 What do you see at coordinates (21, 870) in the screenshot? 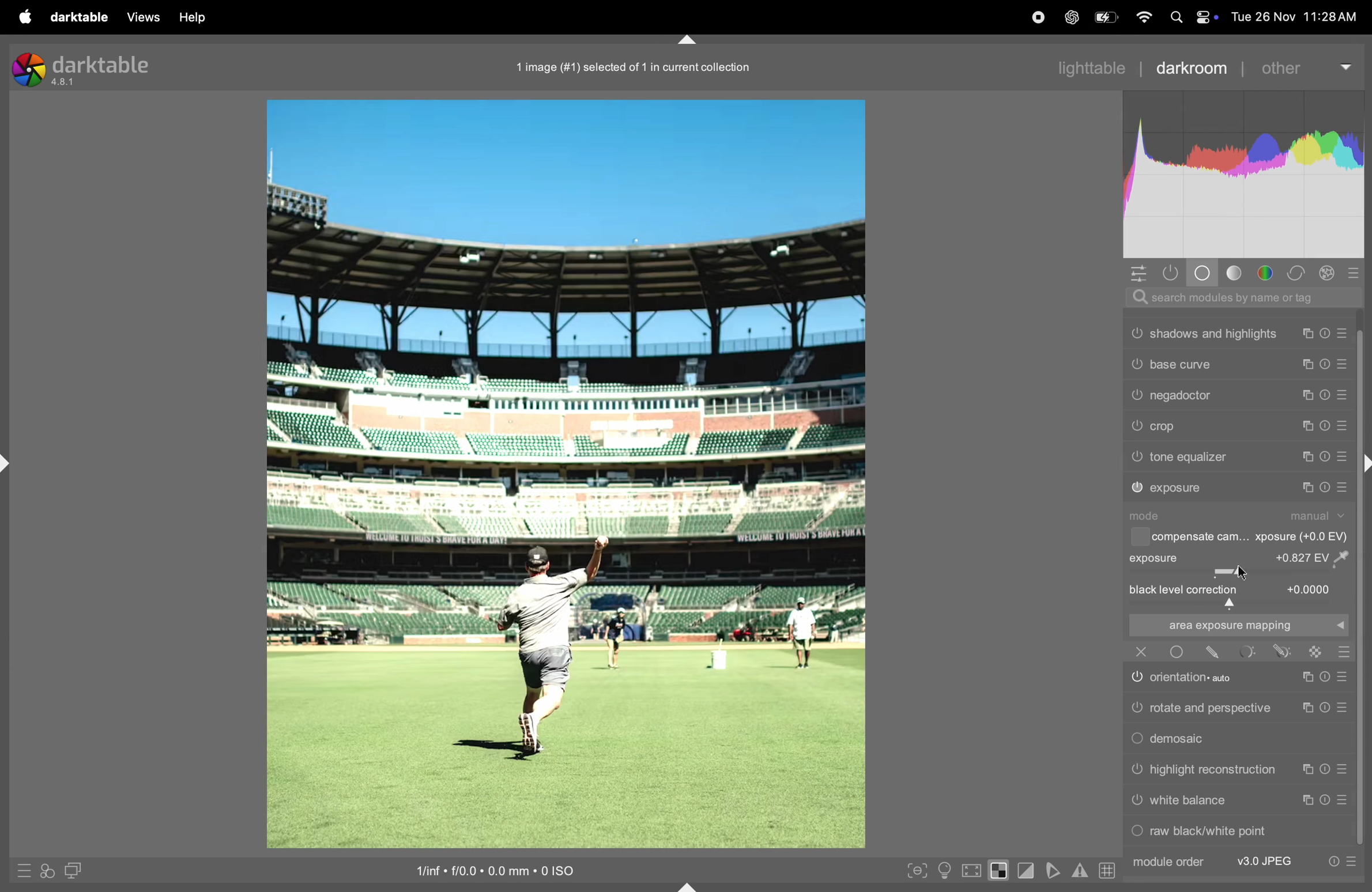
I see `quick acess to presets` at bounding box center [21, 870].